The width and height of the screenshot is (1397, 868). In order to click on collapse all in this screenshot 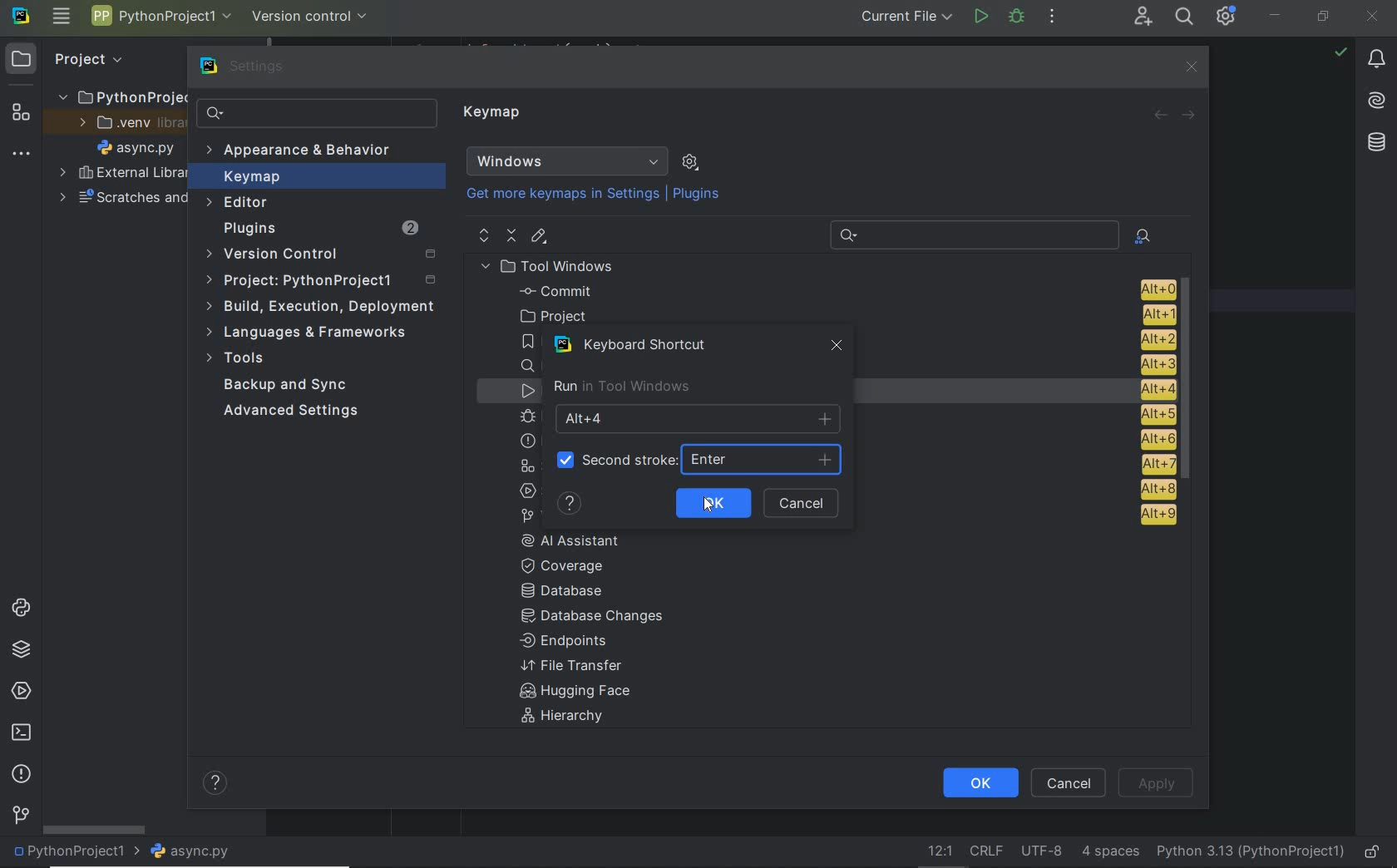, I will do `click(511, 236)`.